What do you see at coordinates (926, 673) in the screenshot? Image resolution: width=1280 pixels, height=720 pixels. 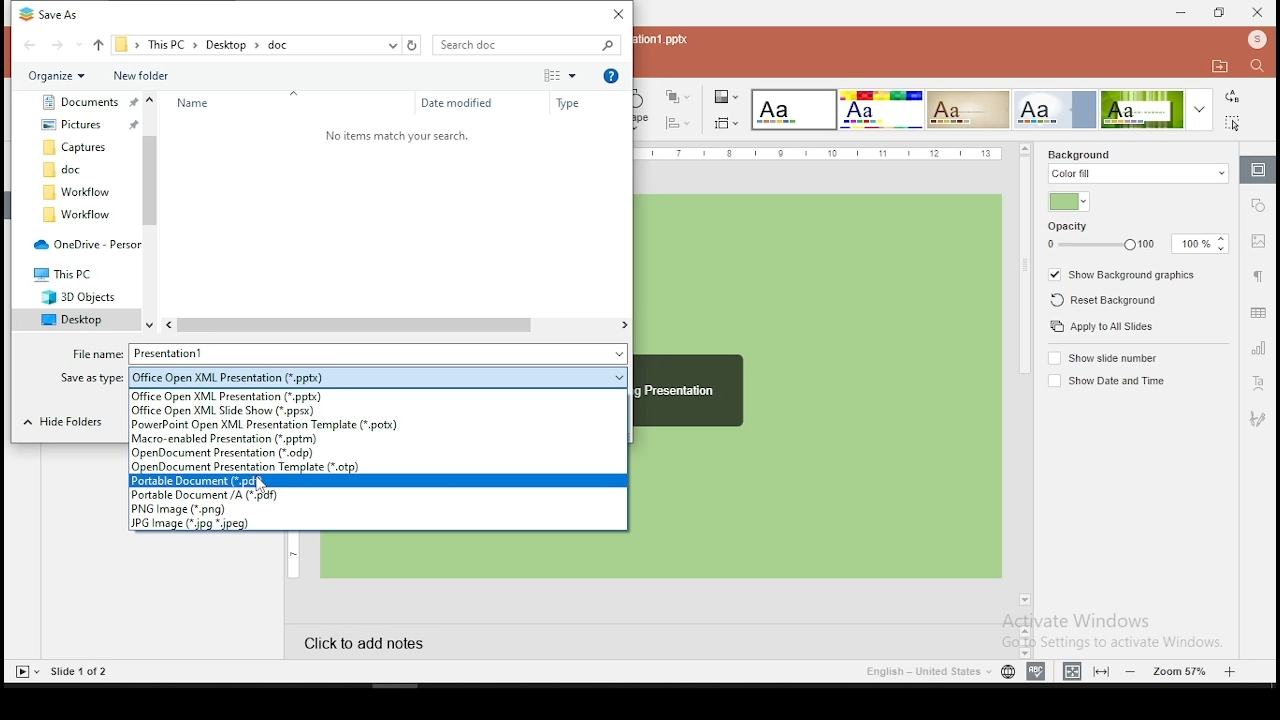 I see `language` at bounding box center [926, 673].